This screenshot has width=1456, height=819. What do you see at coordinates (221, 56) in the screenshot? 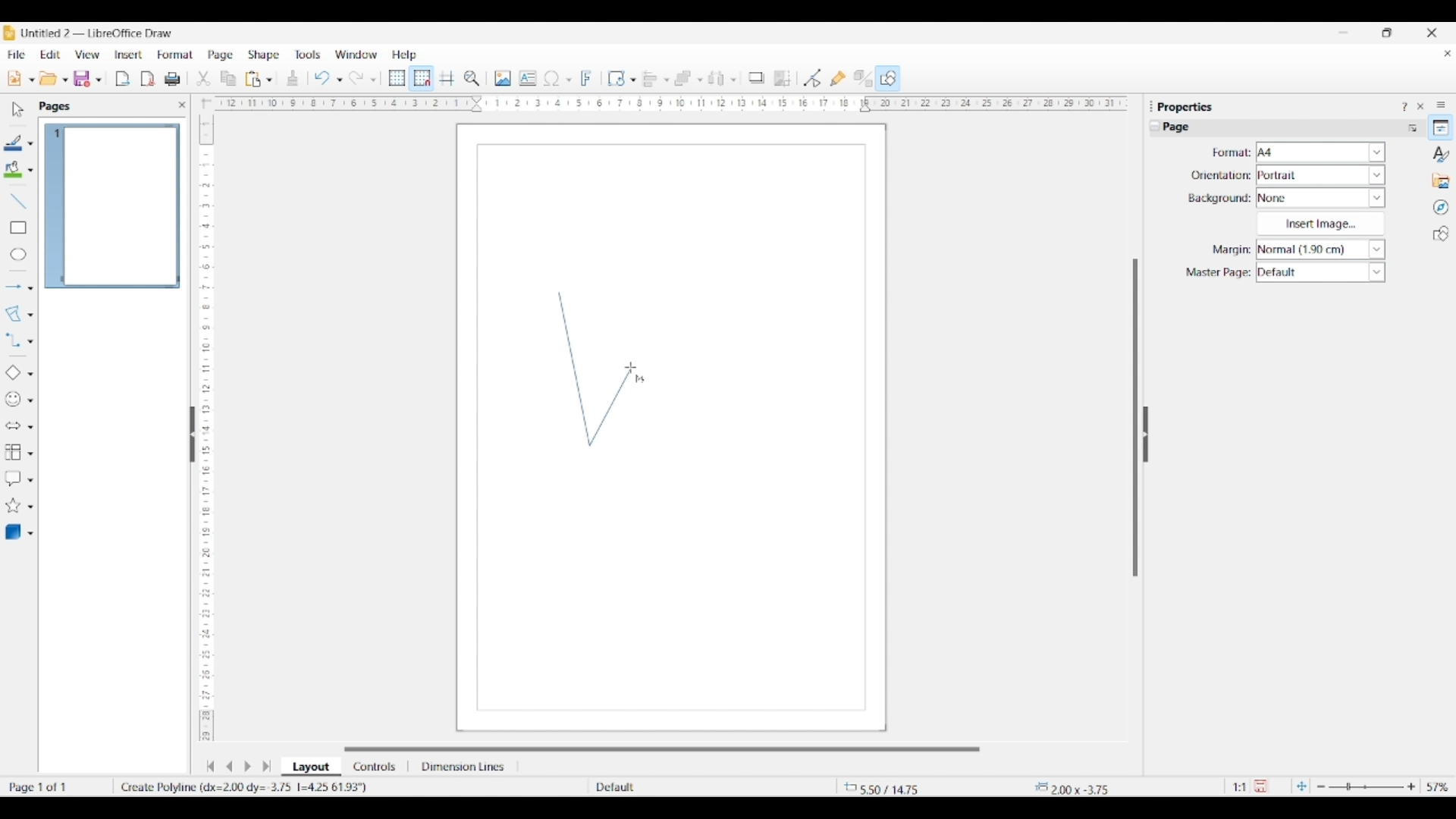
I see `Page` at bounding box center [221, 56].